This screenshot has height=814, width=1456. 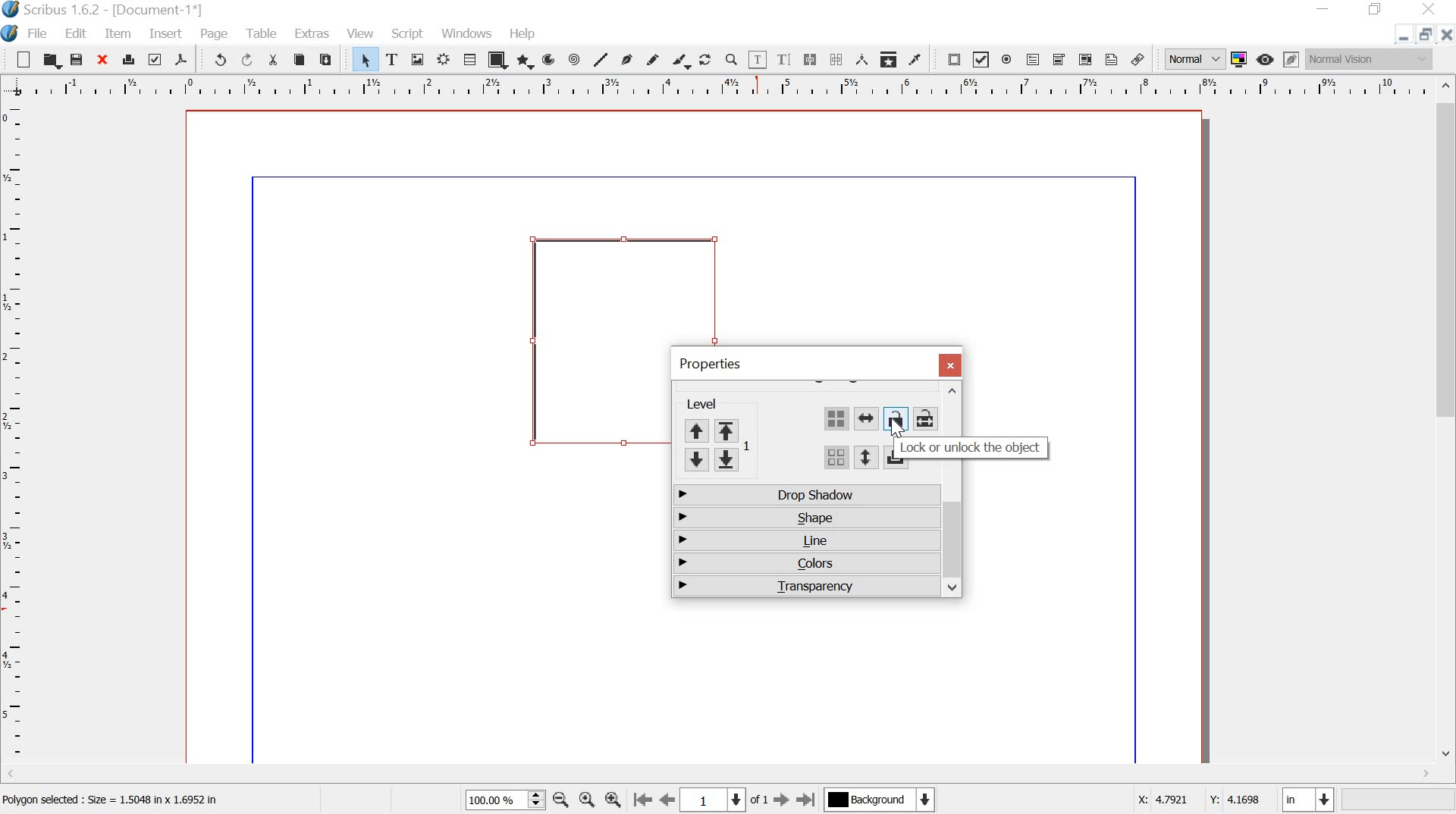 What do you see at coordinates (710, 364) in the screenshot?
I see `properties` at bounding box center [710, 364].